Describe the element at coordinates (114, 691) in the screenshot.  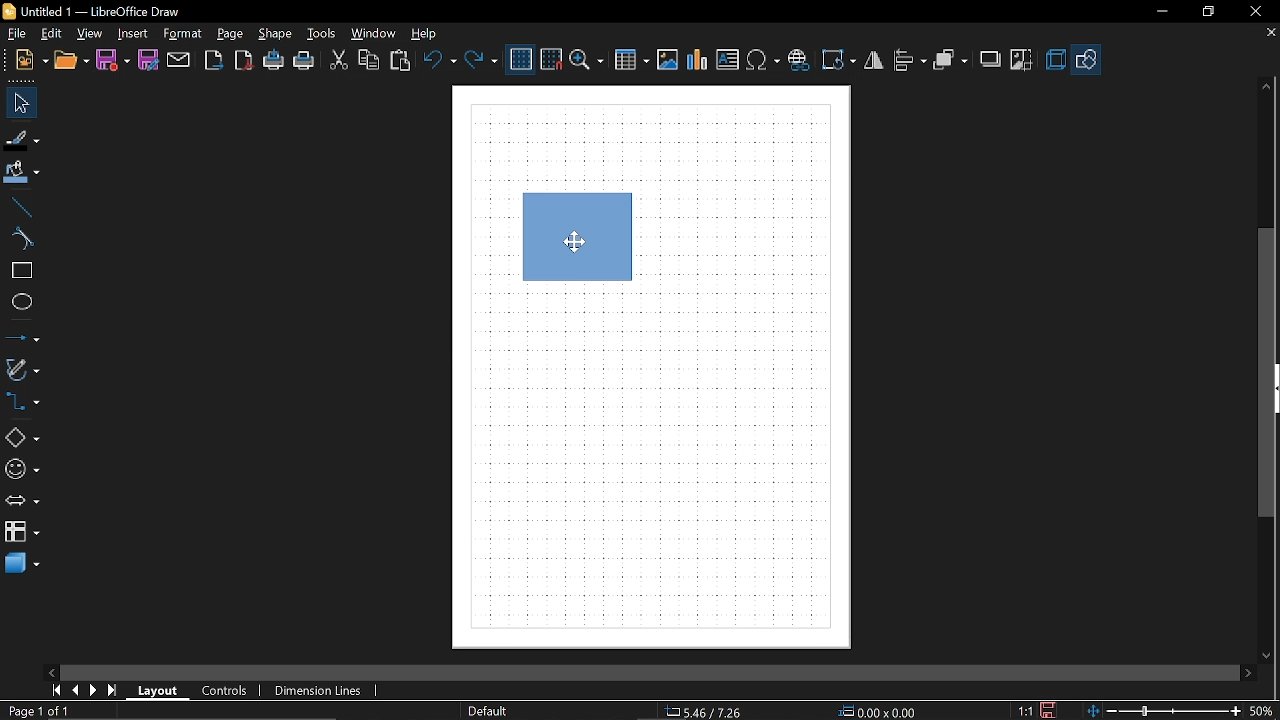
I see `go to last page` at that location.